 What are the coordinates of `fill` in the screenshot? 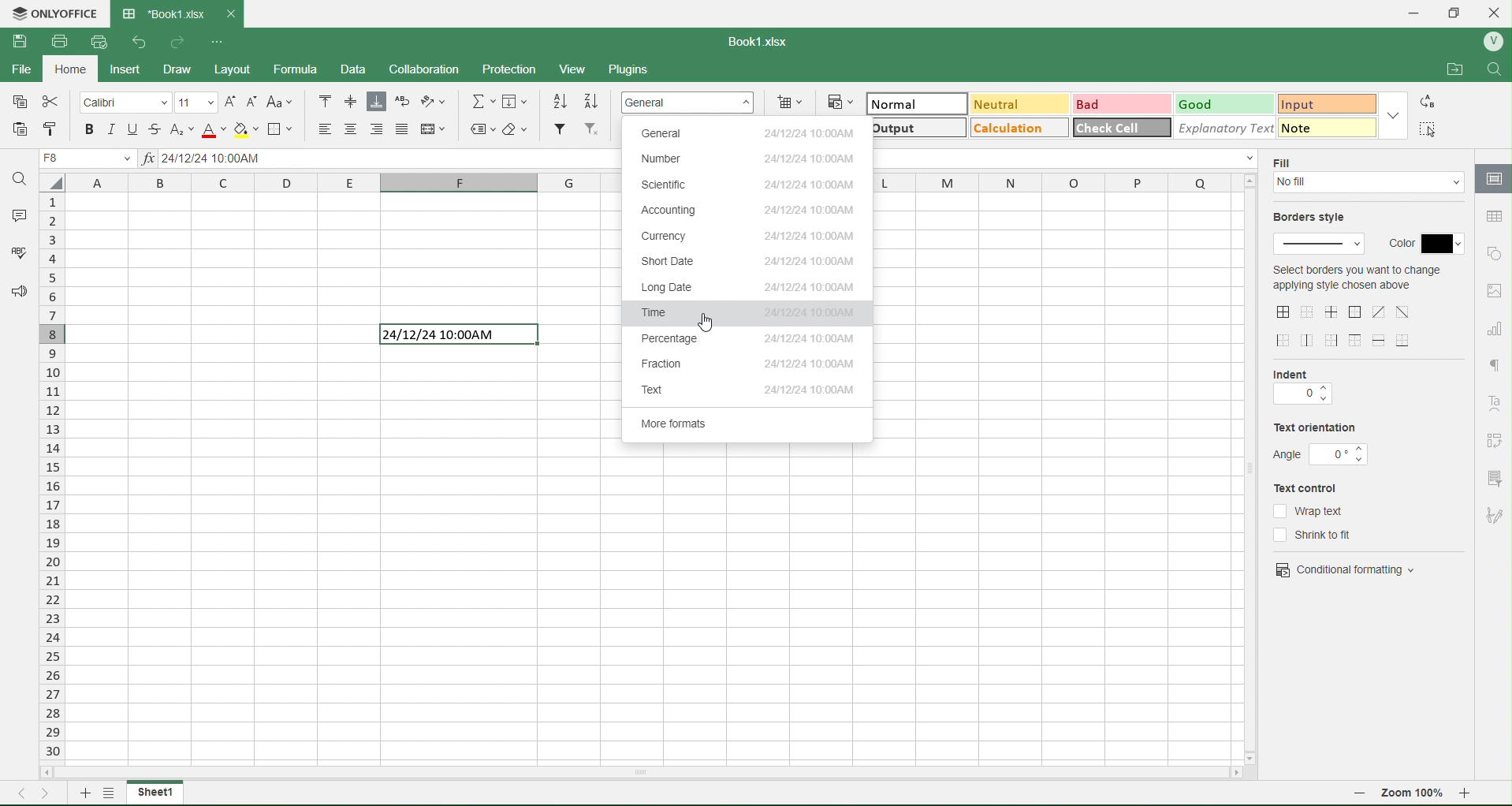 It's located at (1370, 185).